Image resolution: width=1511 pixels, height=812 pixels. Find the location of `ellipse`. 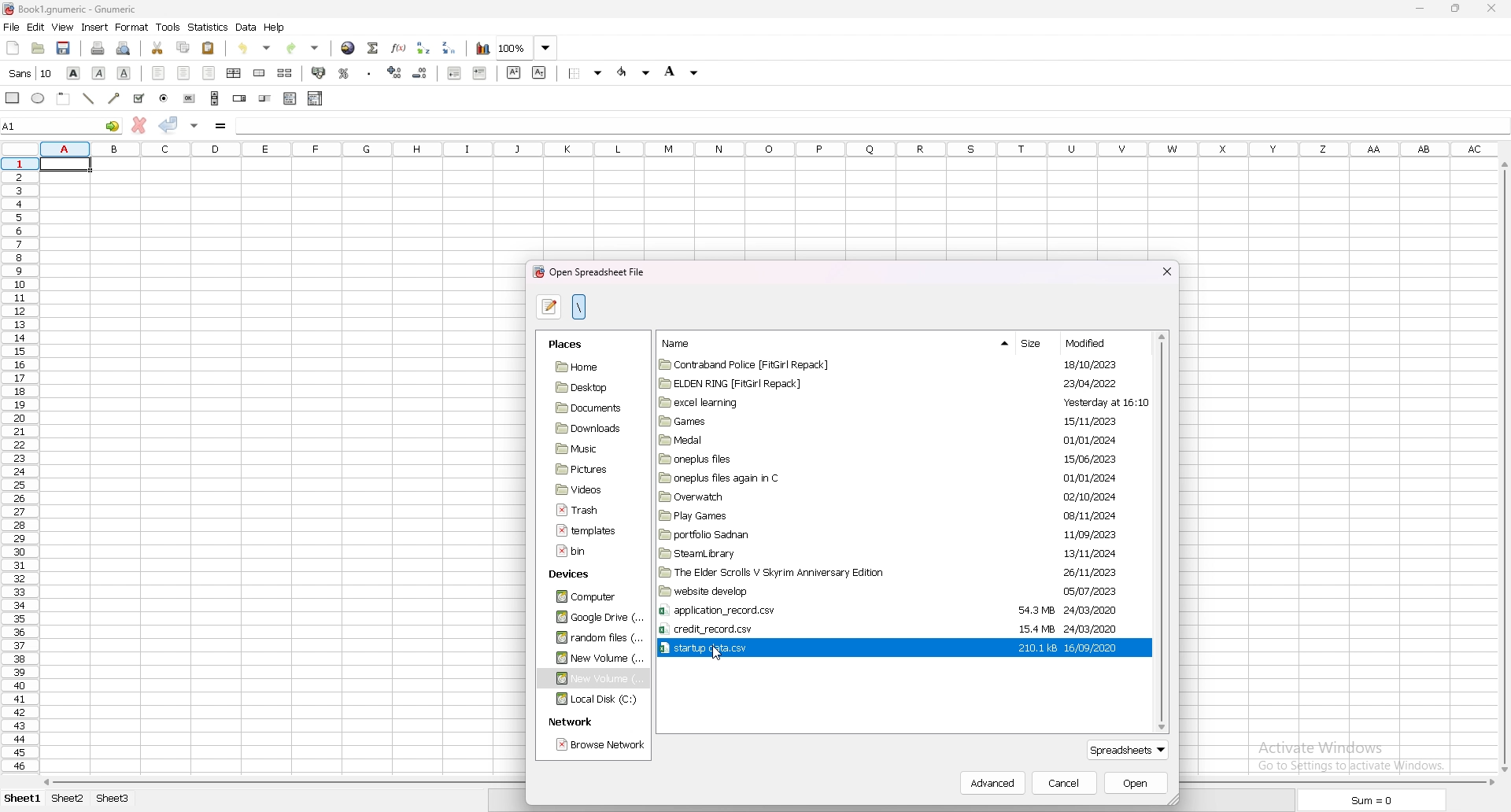

ellipse is located at coordinates (39, 98).